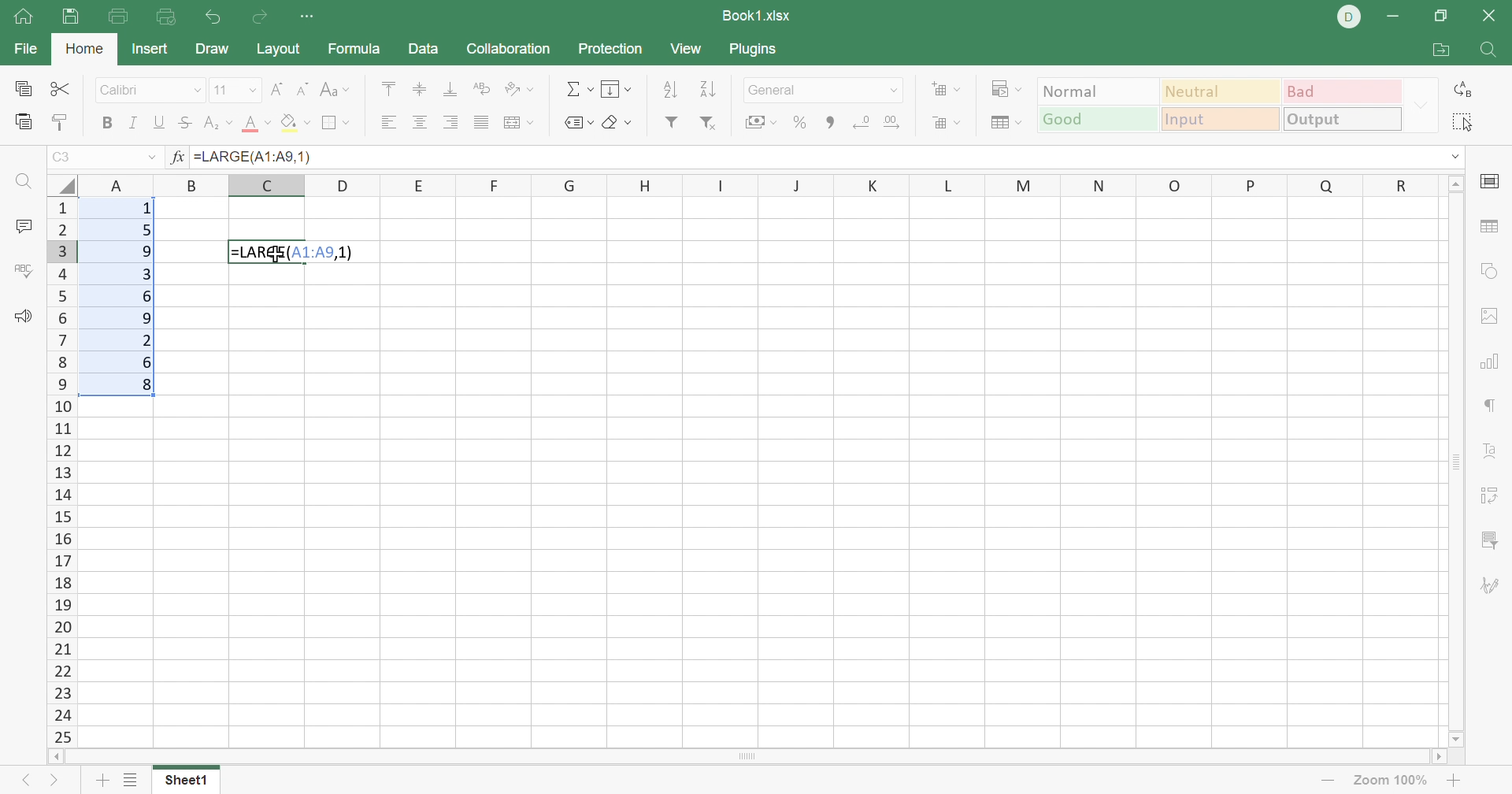  I want to click on 5, so click(146, 232).